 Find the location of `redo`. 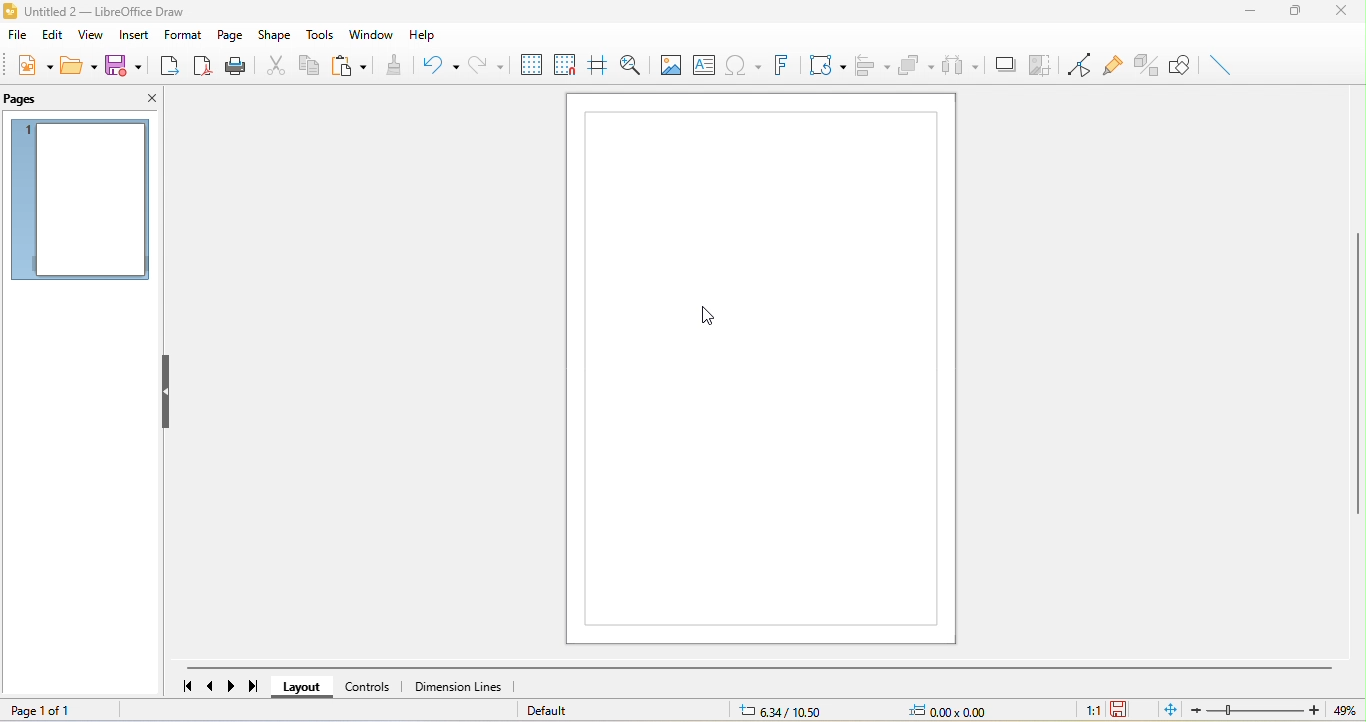

redo is located at coordinates (485, 64).